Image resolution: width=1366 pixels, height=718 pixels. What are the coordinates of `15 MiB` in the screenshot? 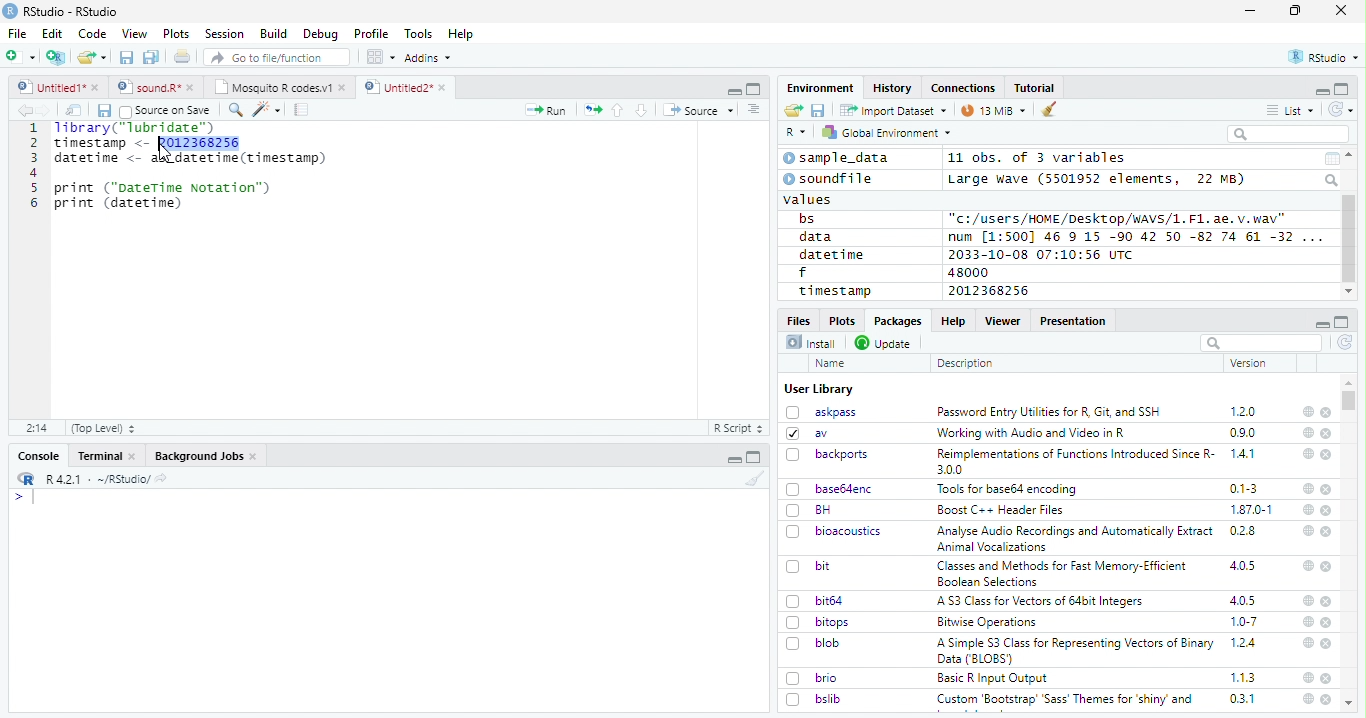 It's located at (994, 110).